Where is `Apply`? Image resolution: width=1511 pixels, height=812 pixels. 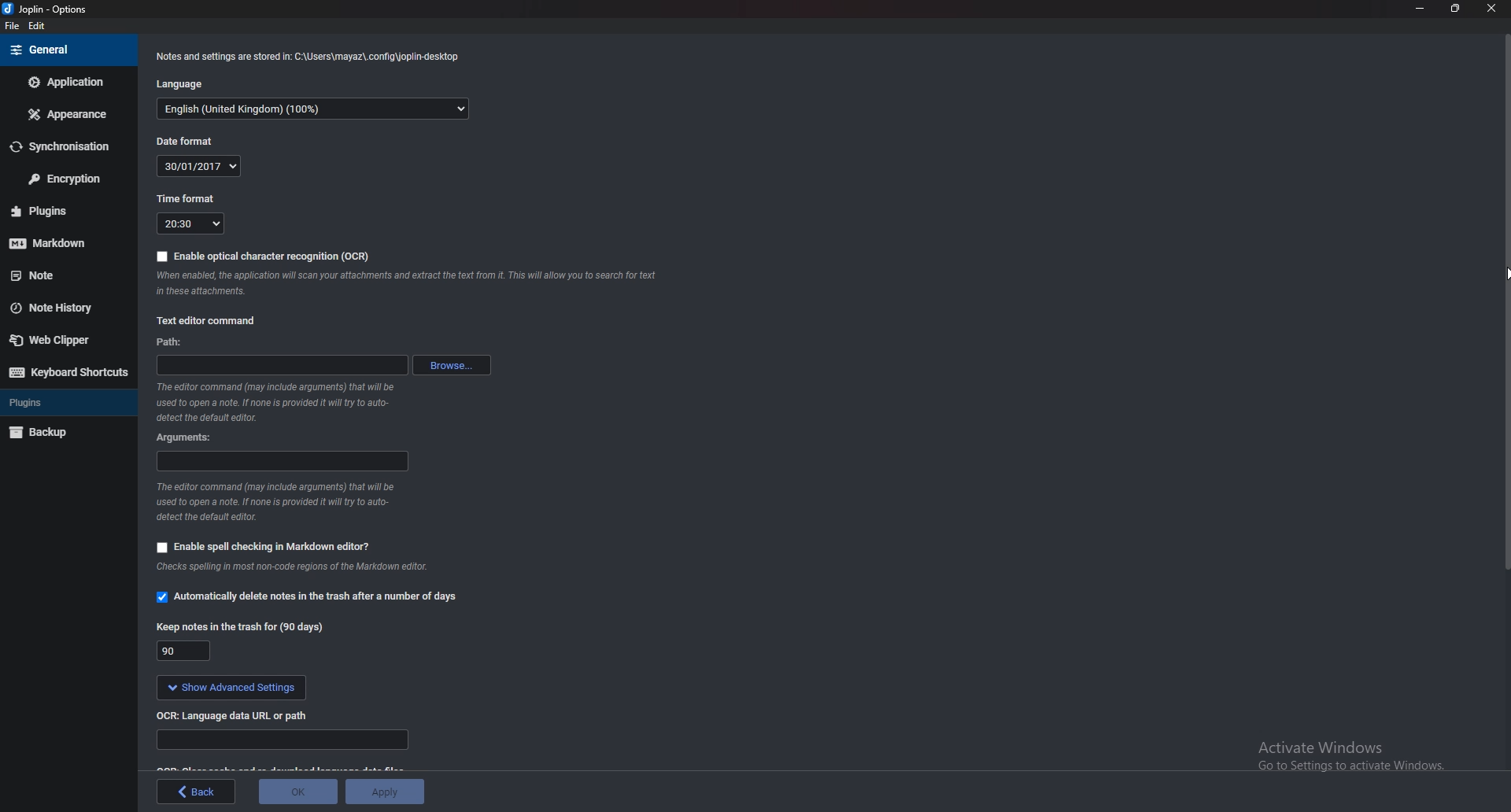
Apply is located at coordinates (386, 791).